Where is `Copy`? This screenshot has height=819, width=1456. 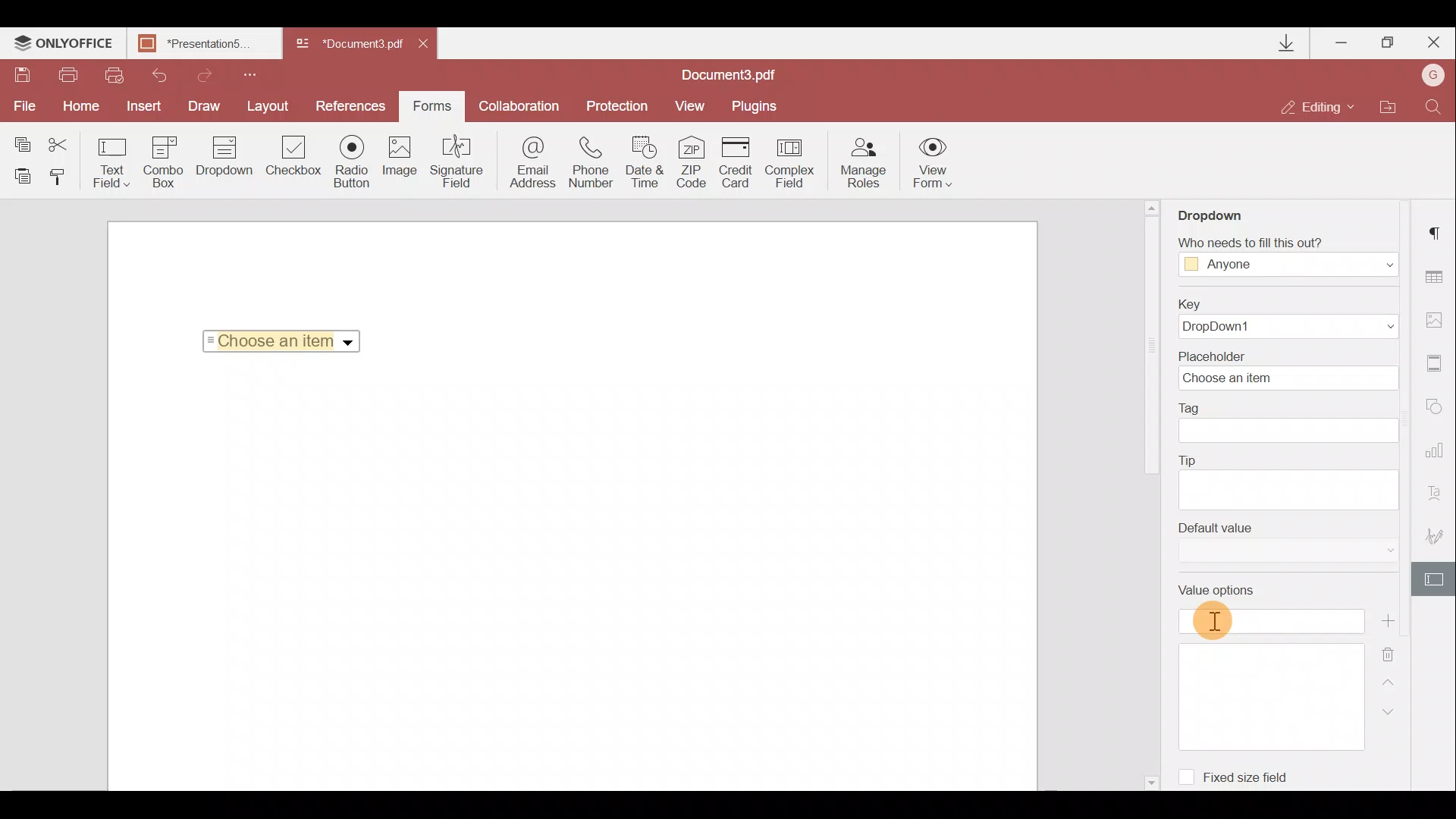
Copy is located at coordinates (21, 141).